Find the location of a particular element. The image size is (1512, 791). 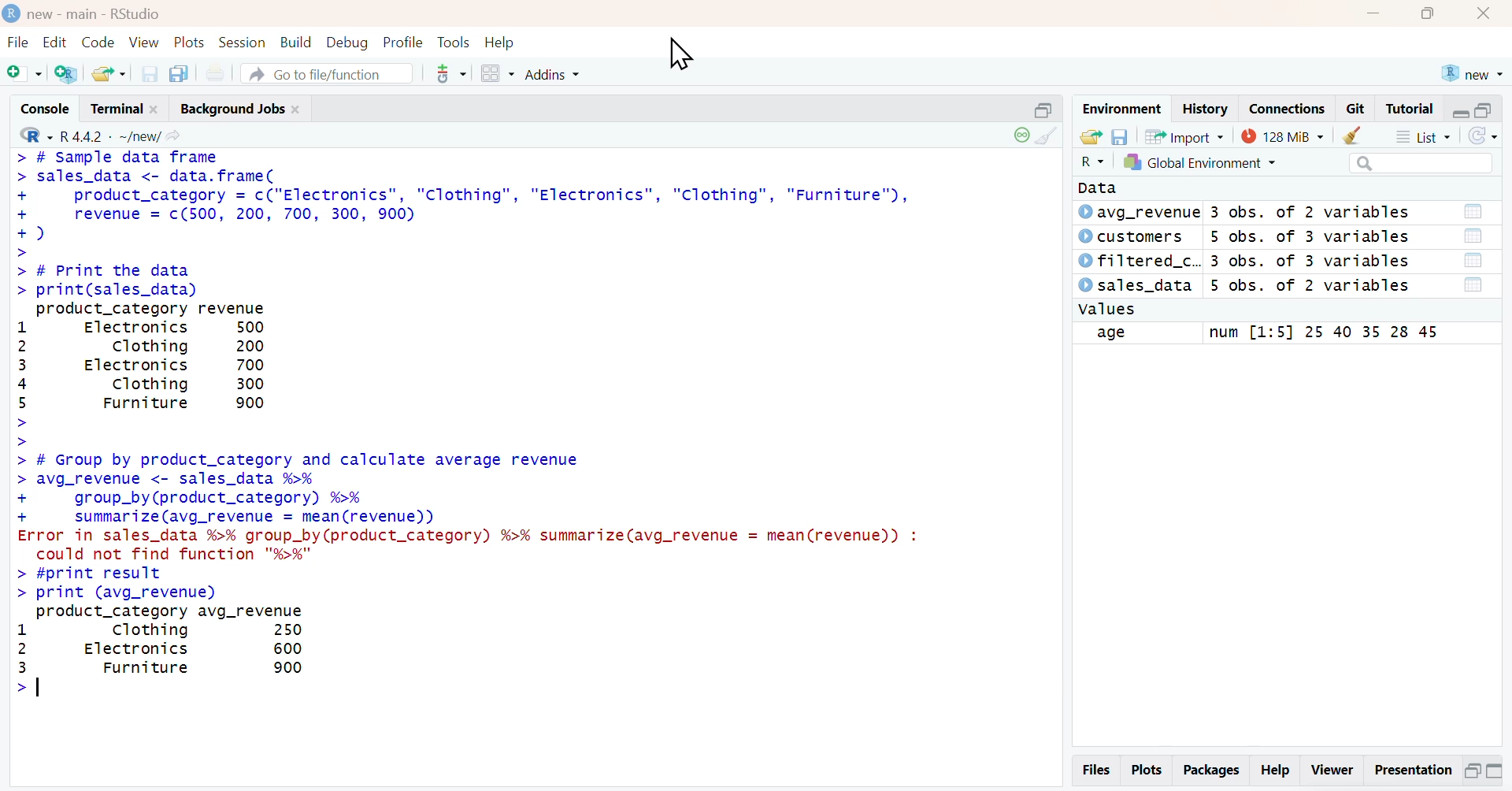

search is located at coordinates (1421, 164).